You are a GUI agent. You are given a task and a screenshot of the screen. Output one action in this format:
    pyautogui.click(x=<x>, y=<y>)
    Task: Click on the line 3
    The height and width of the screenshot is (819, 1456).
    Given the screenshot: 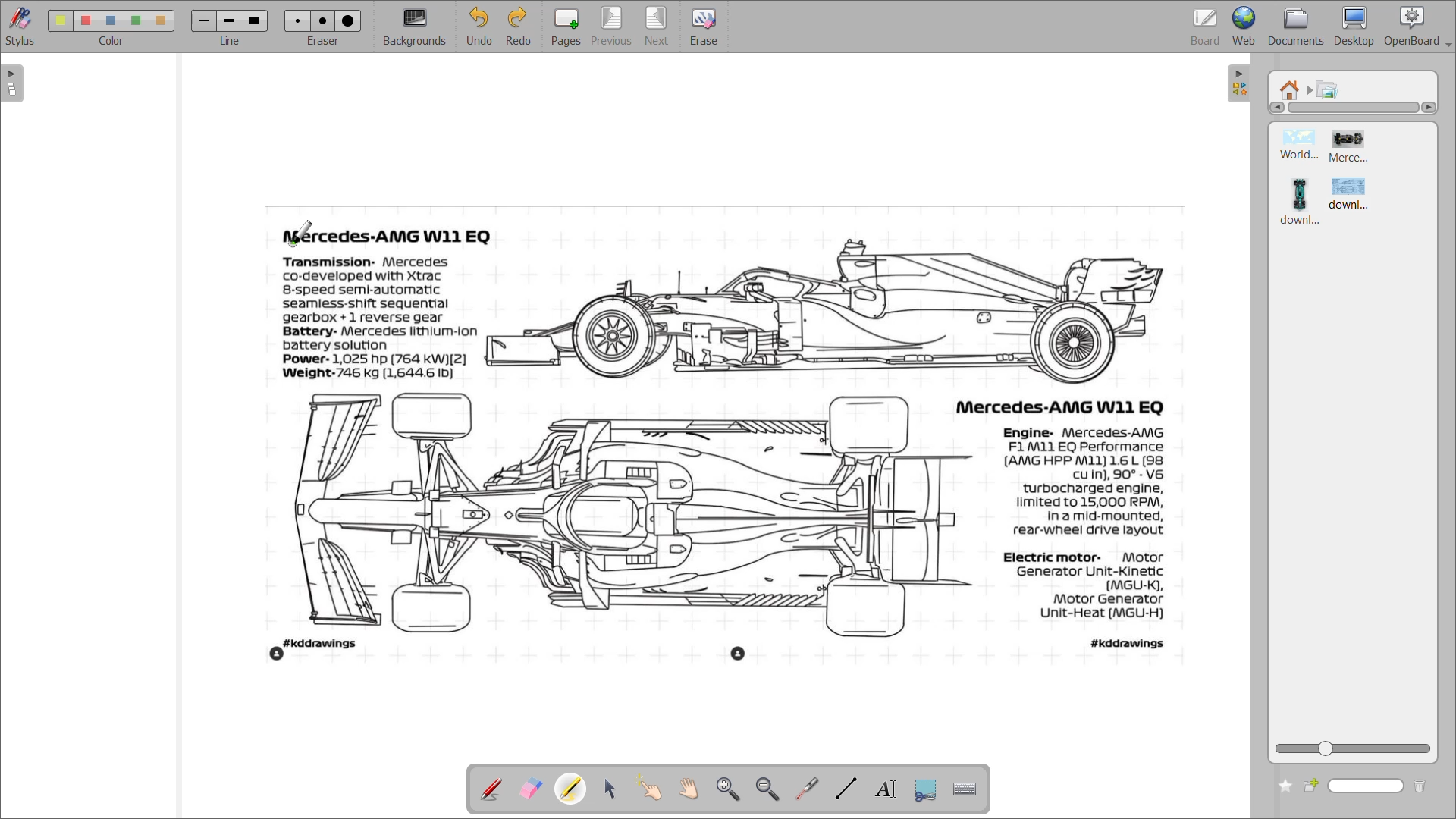 What is the action you would take?
    pyautogui.click(x=258, y=20)
    